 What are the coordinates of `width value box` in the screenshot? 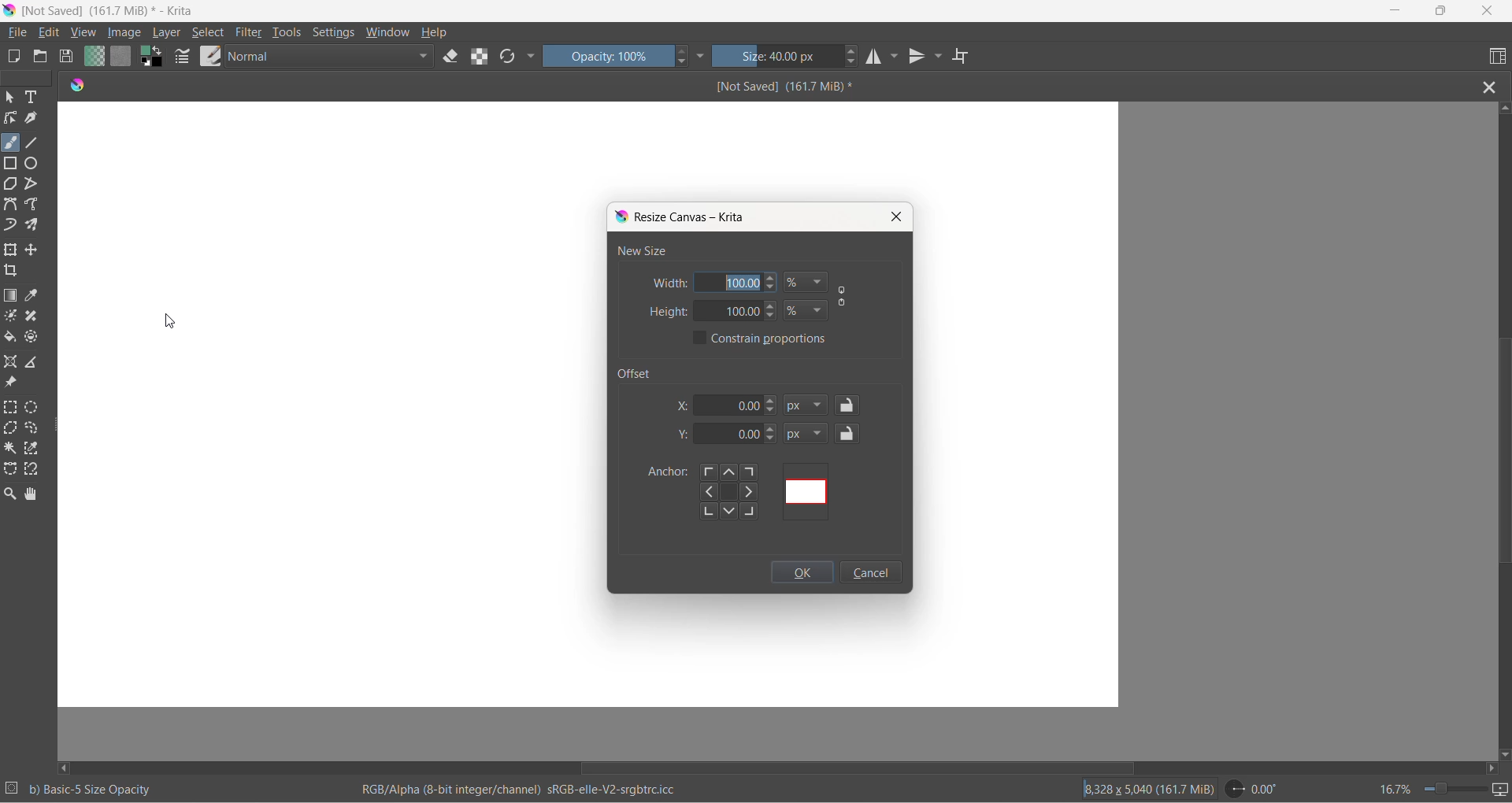 It's located at (729, 283).